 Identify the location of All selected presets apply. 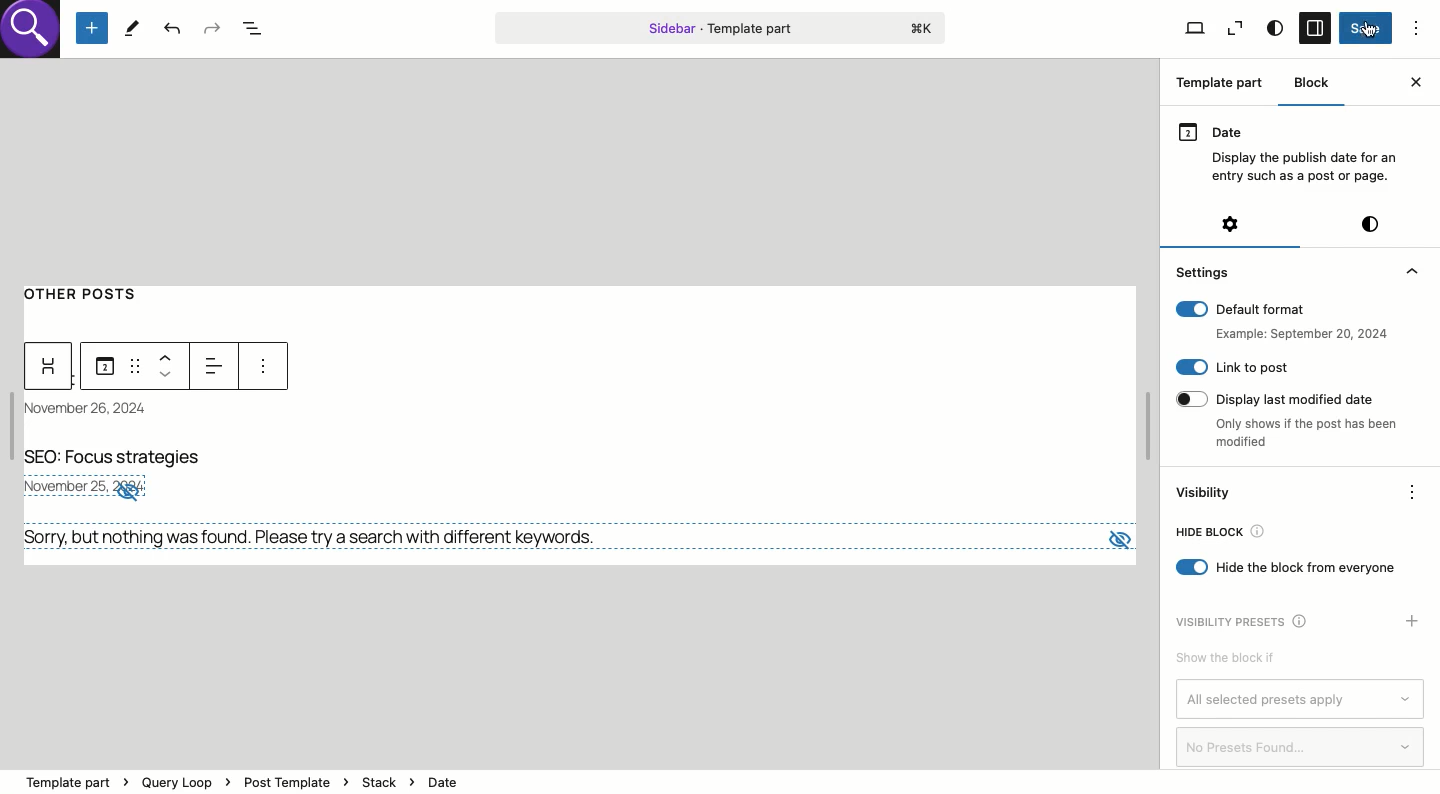
(1301, 700).